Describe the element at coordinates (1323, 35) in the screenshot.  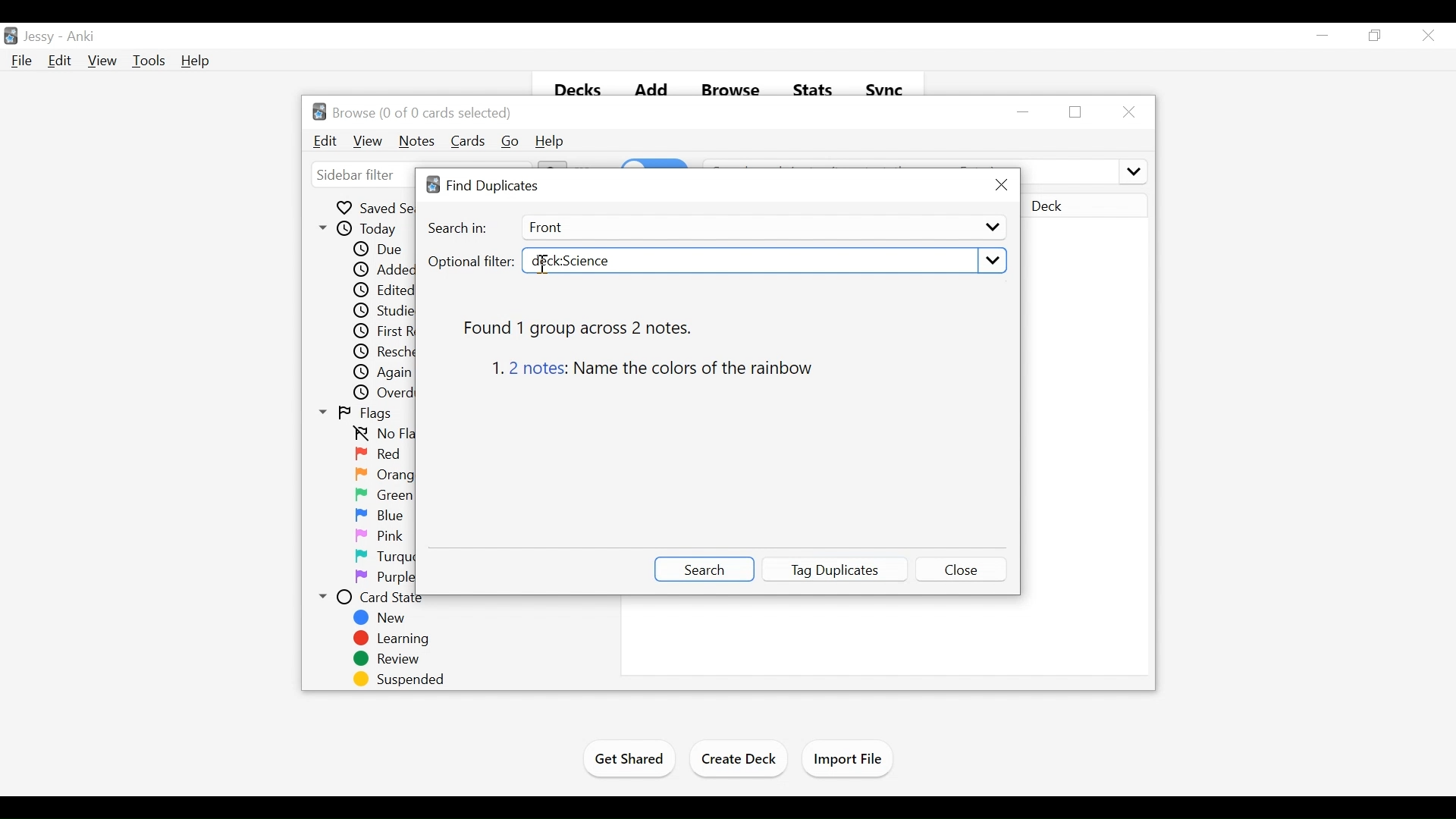
I see `minimize` at that location.